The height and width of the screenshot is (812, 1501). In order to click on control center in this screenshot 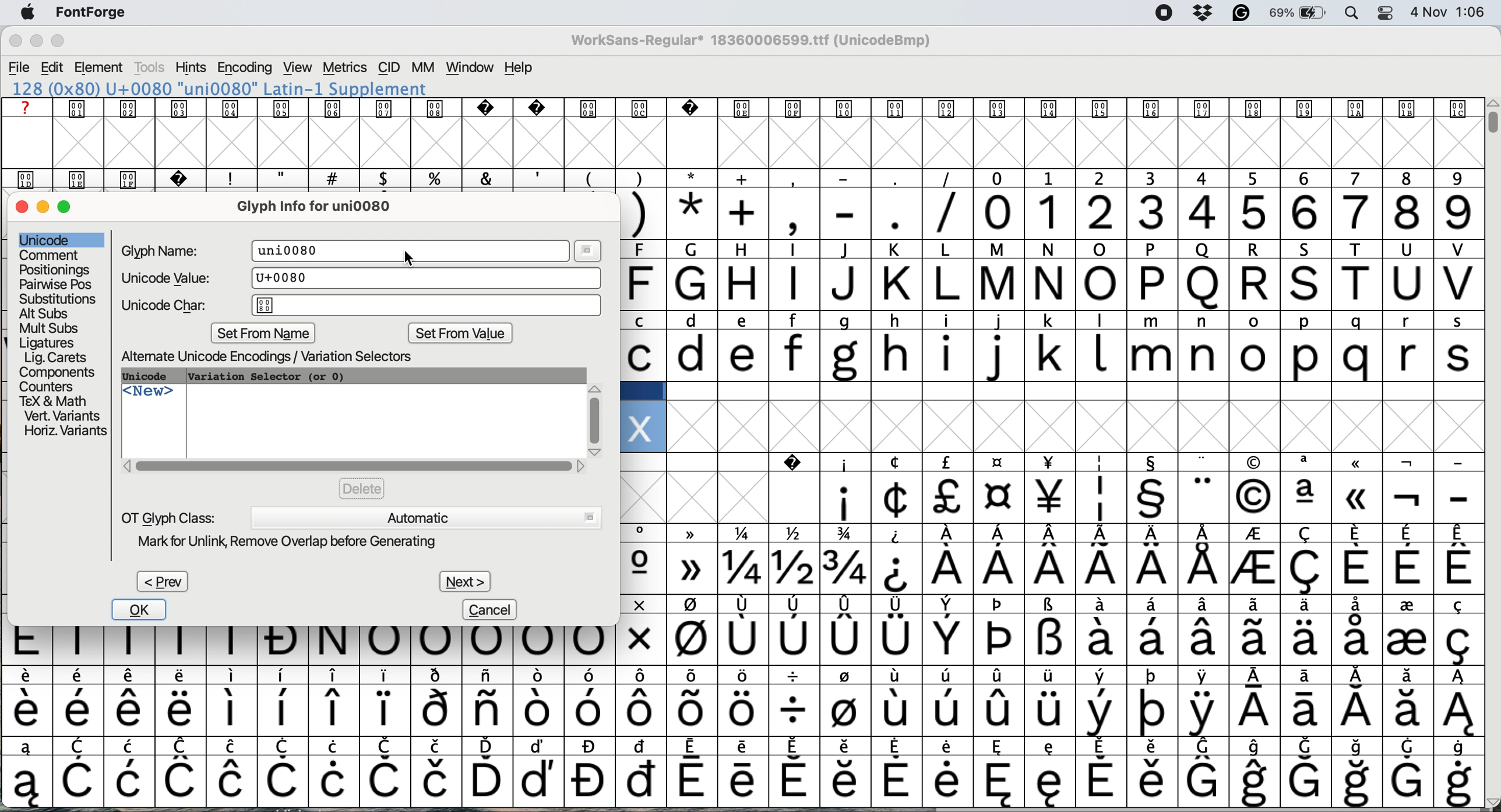, I will do `click(1383, 12)`.